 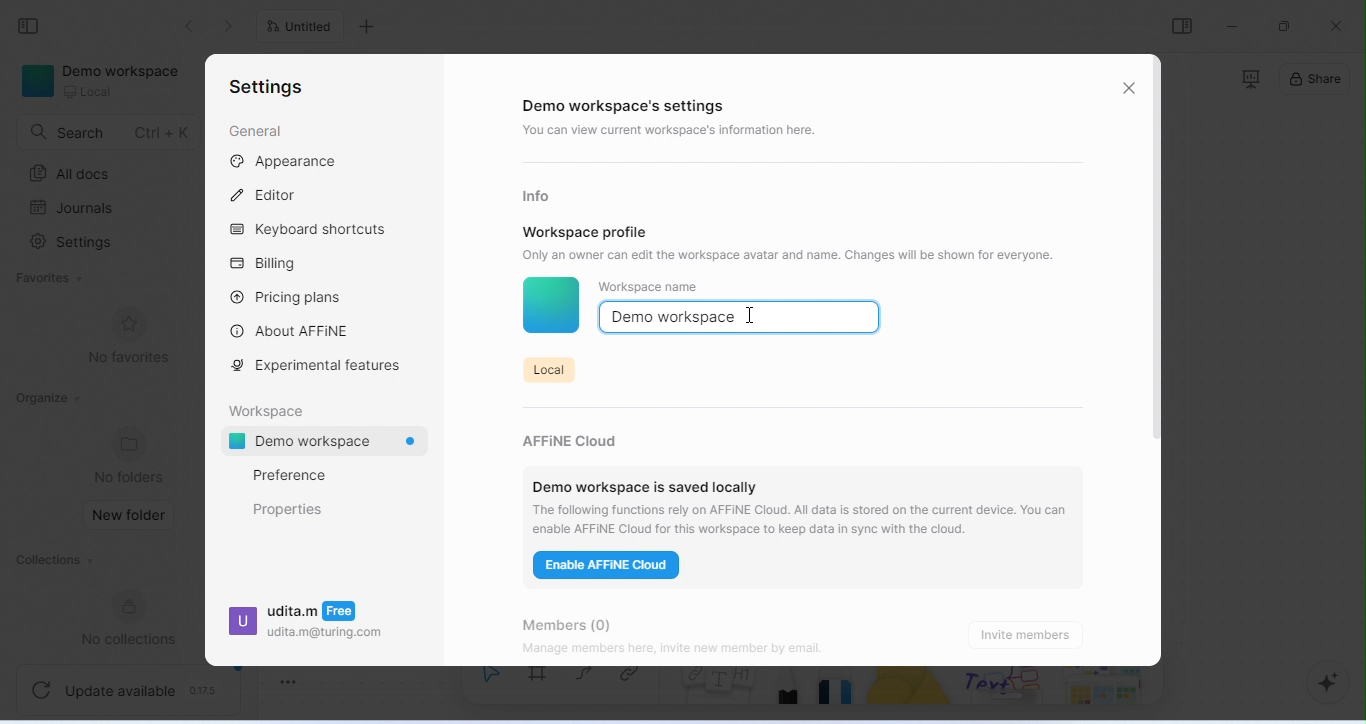 I want to click on settings, so click(x=75, y=244).